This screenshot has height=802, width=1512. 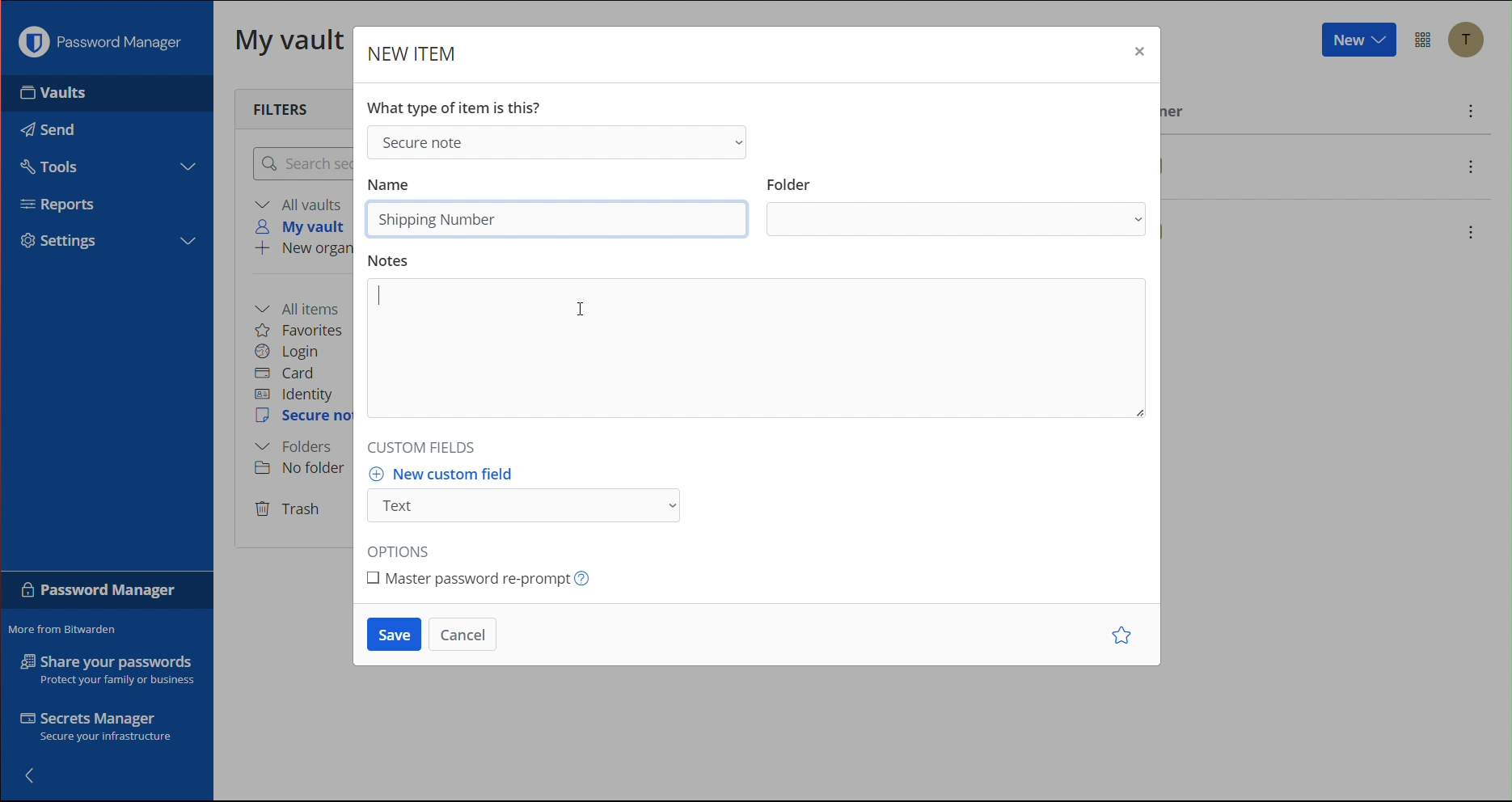 I want to click on Cursor, so click(x=583, y=310).